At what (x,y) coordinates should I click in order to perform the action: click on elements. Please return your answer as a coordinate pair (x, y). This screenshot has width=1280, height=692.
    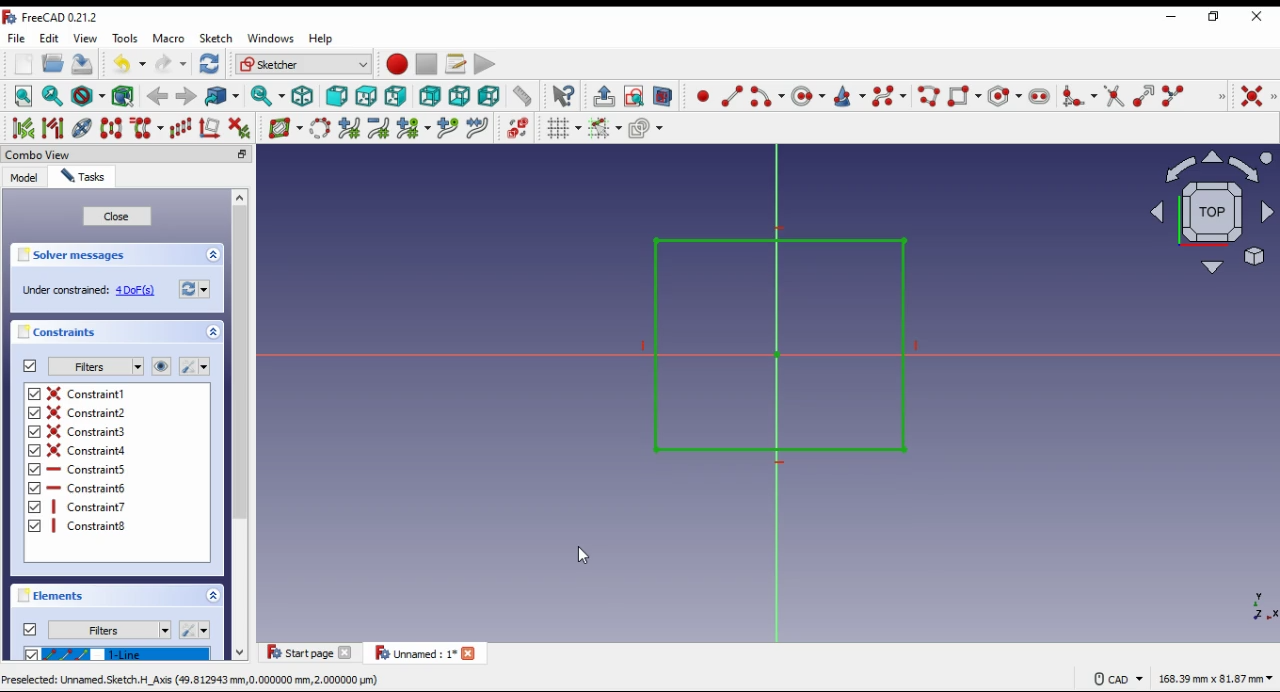
    Looking at the image, I should click on (54, 596).